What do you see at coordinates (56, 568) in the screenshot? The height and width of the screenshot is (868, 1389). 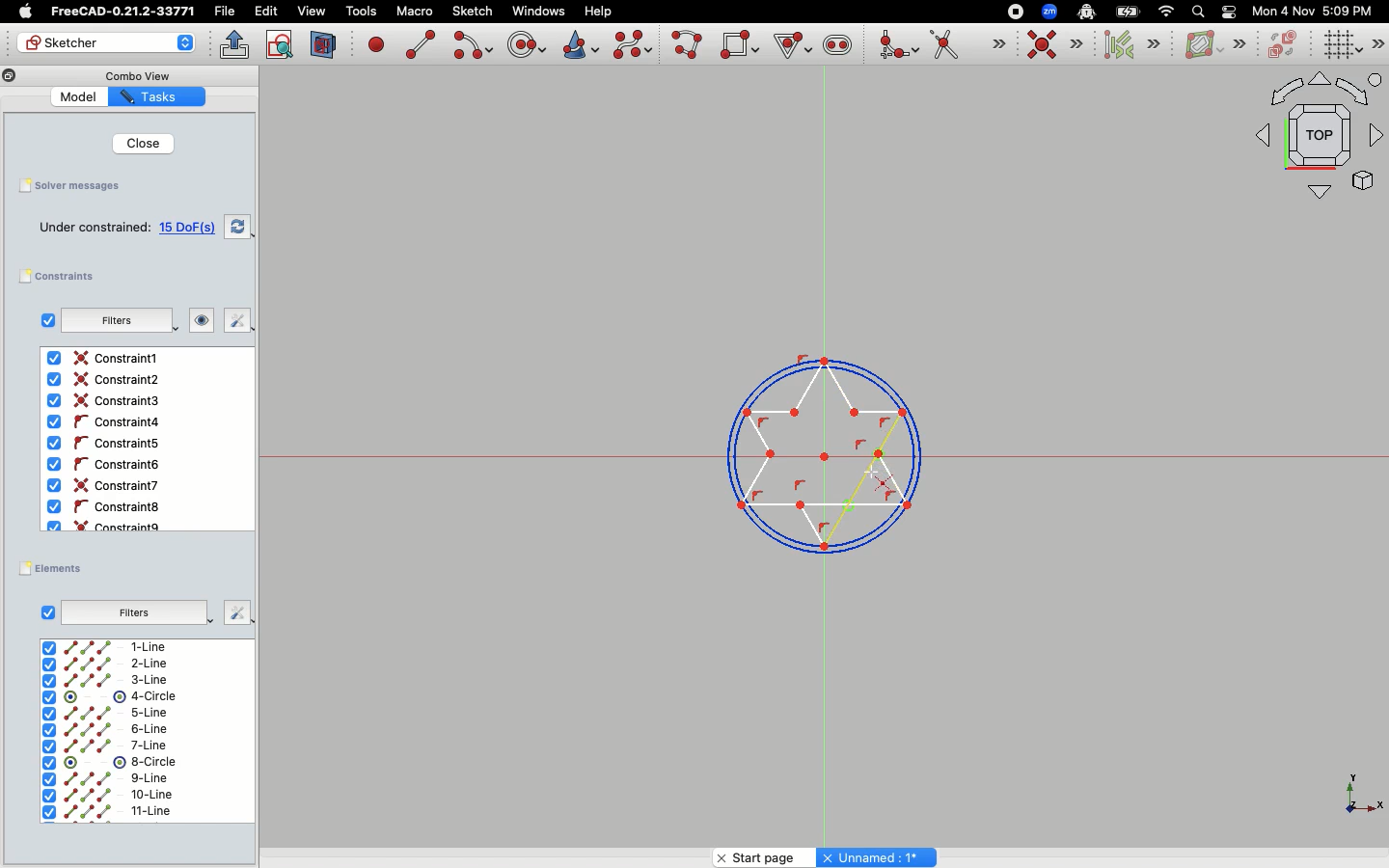 I see `Elements` at bounding box center [56, 568].